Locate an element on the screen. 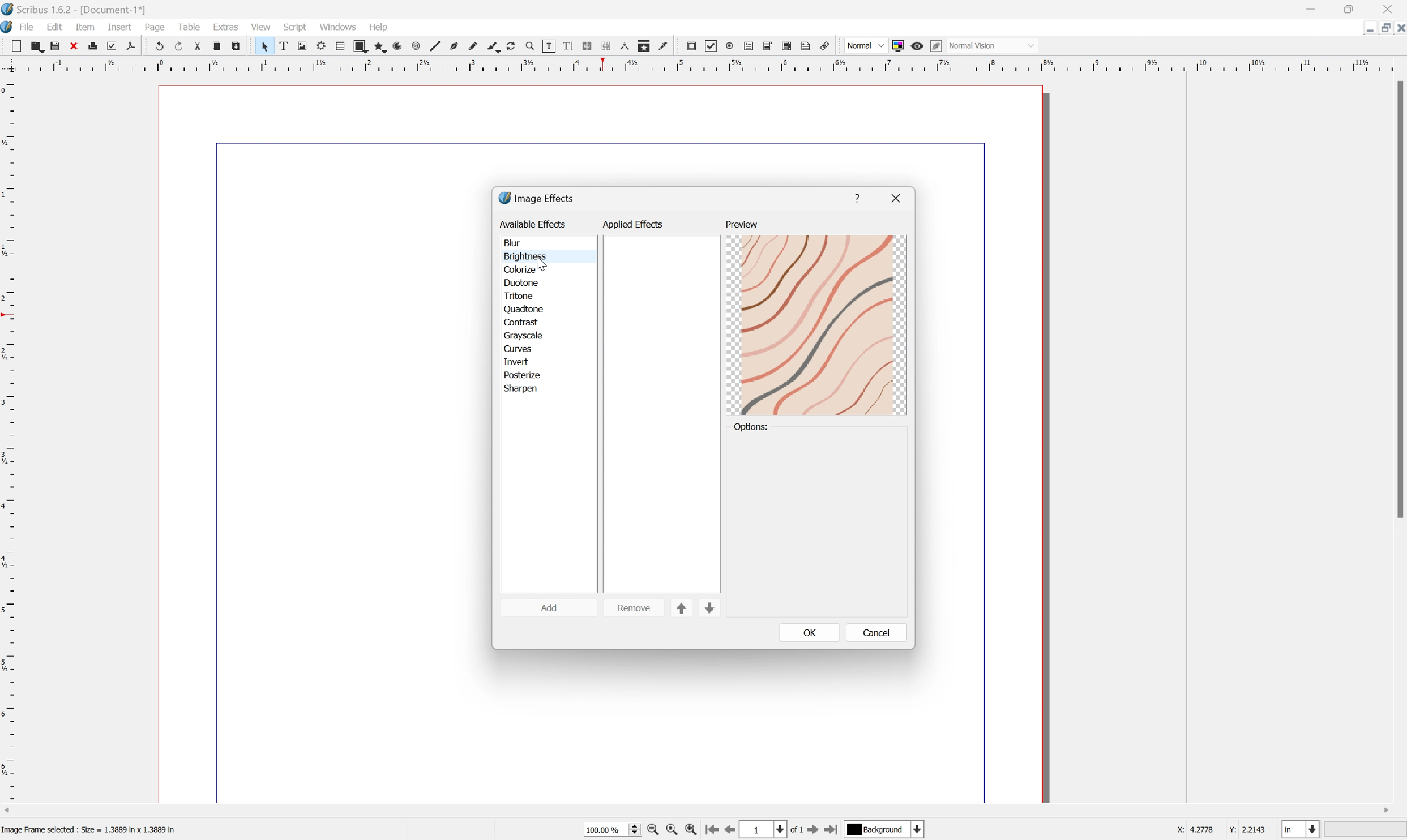 This screenshot has width=1407, height=840. close is located at coordinates (898, 196).